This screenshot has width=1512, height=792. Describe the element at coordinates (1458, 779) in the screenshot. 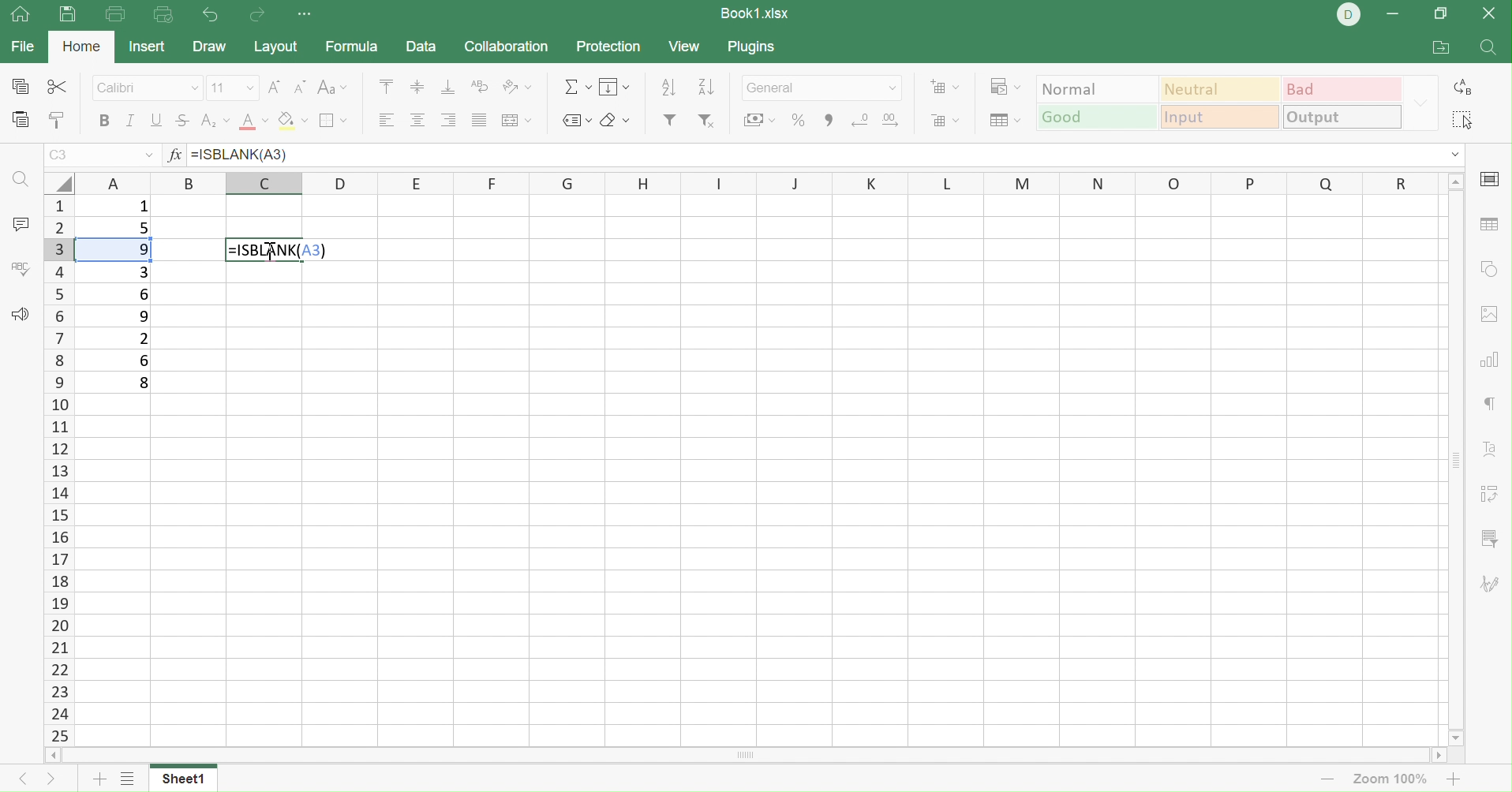

I see `Zoom in` at that location.